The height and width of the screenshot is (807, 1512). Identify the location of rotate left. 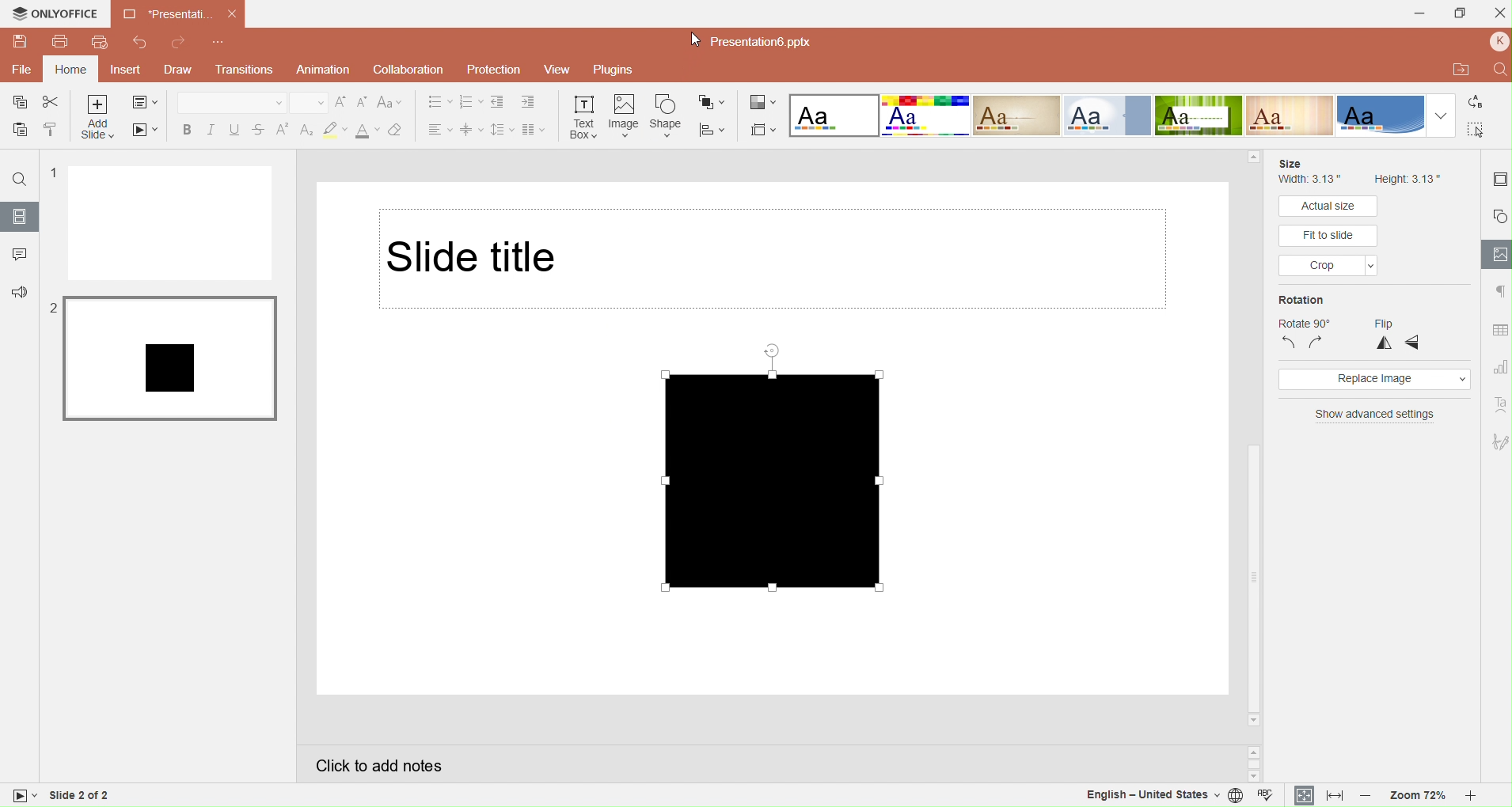
(1289, 343).